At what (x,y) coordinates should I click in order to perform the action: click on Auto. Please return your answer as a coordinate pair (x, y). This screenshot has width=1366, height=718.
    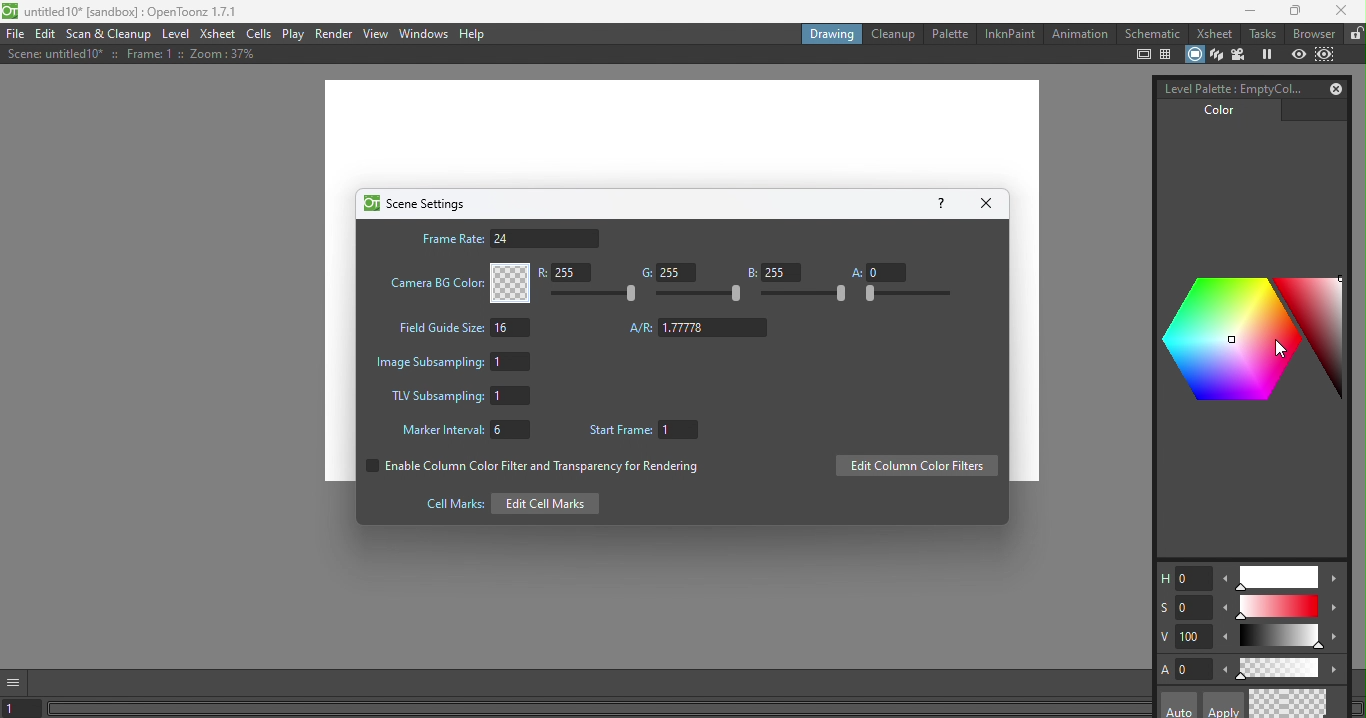
    Looking at the image, I should click on (1179, 705).